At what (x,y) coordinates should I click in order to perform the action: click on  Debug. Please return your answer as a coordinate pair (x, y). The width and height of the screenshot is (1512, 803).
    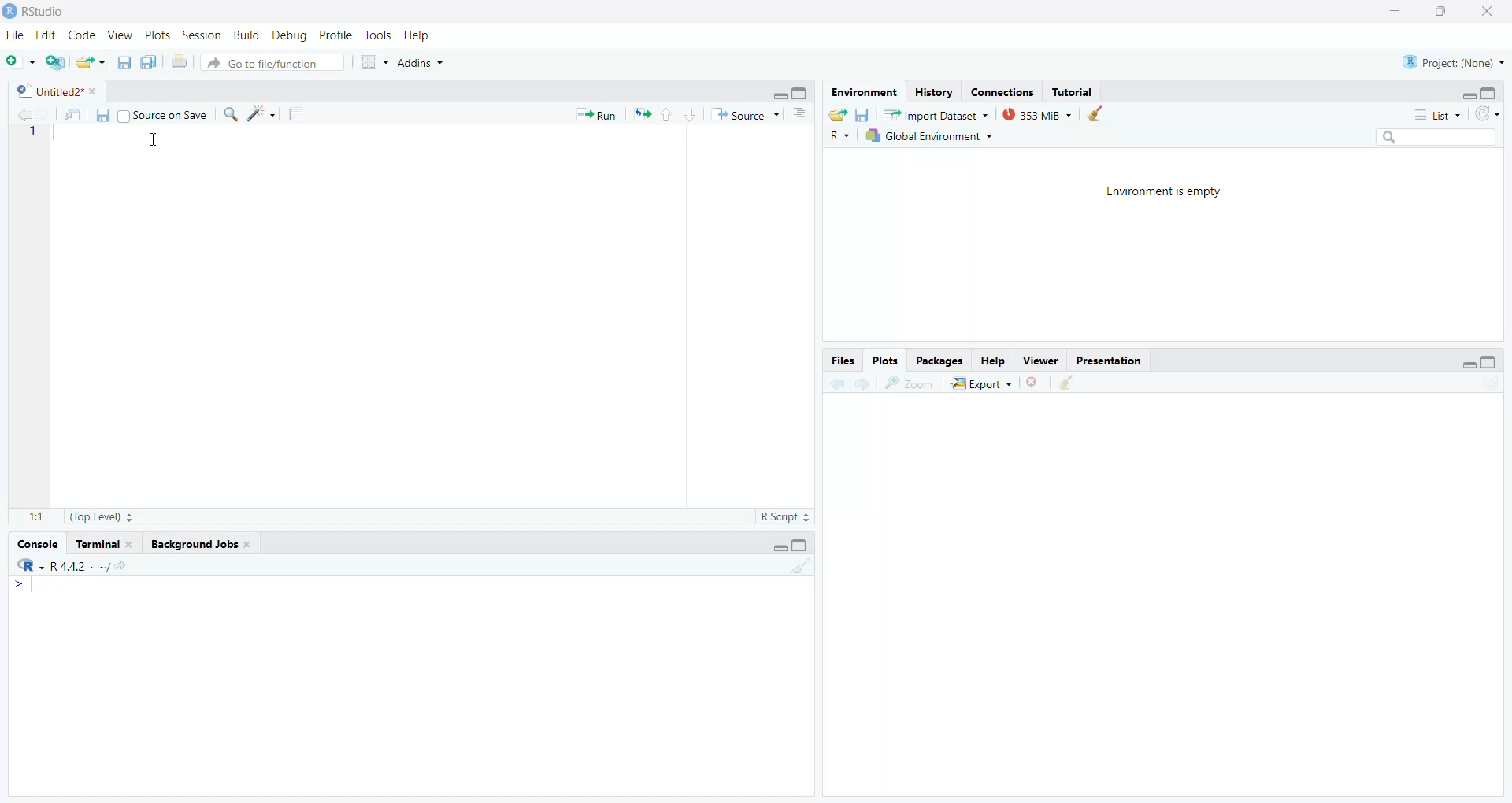
    Looking at the image, I should click on (287, 36).